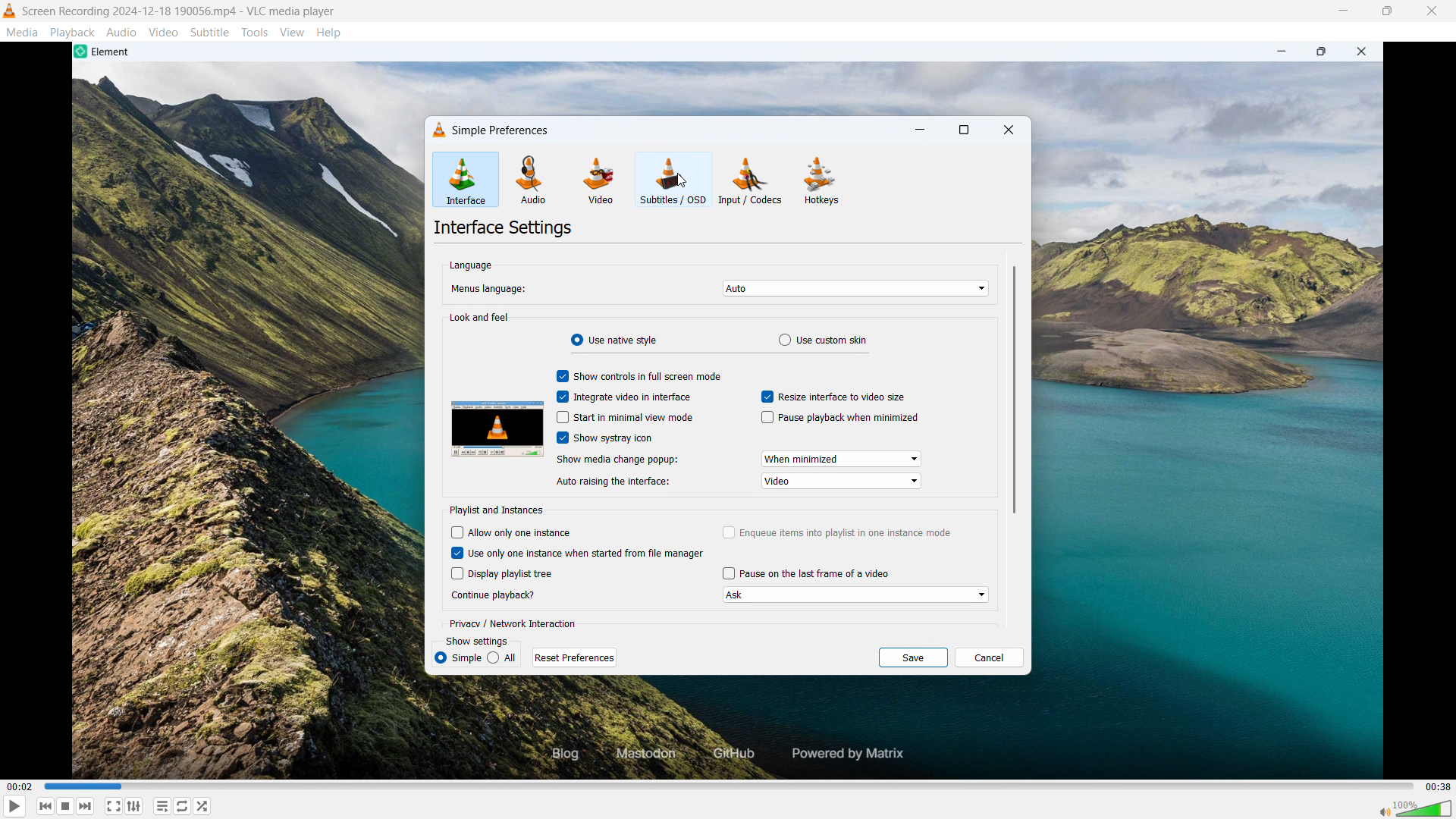 The height and width of the screenshot is (819, 1456). What do you see at coordinates (122, 31) in the screenshot?
I see `audio` at bounding box center [122, 31].